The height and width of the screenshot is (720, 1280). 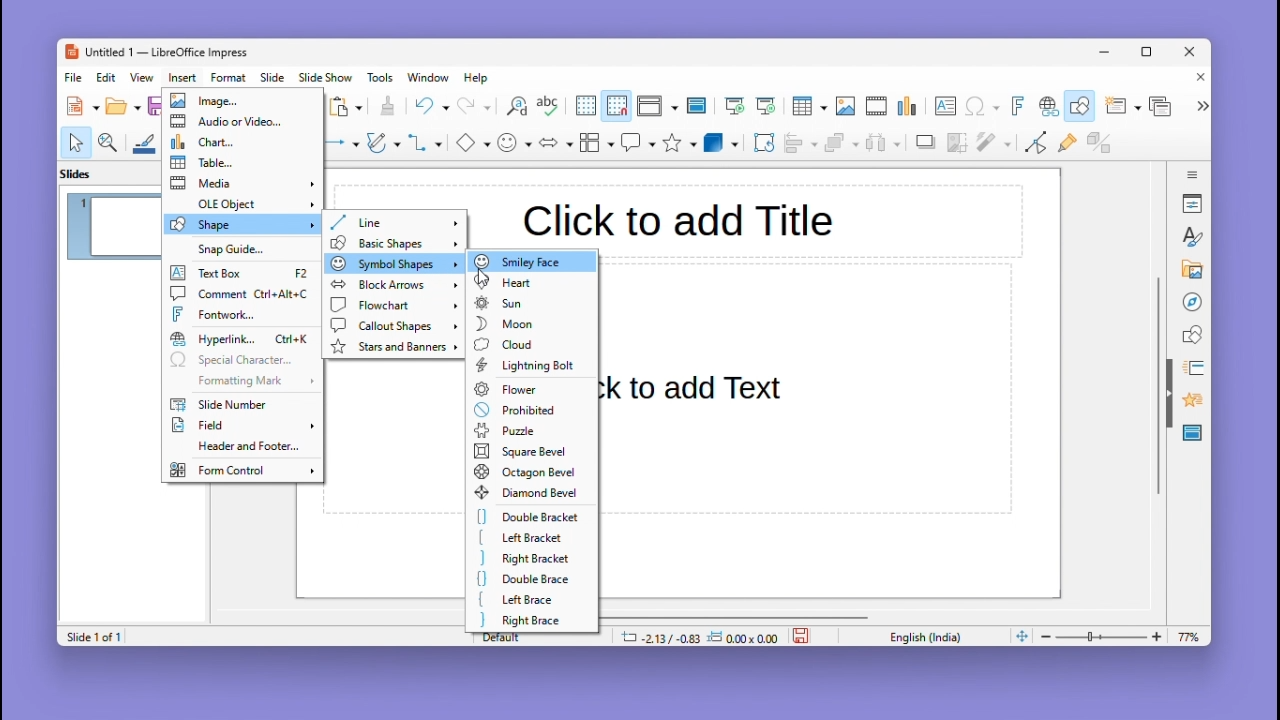 What do you see at coordinates (1196, 79) in the screenshot?
I see `Close` at bounding box center [1196, 79].